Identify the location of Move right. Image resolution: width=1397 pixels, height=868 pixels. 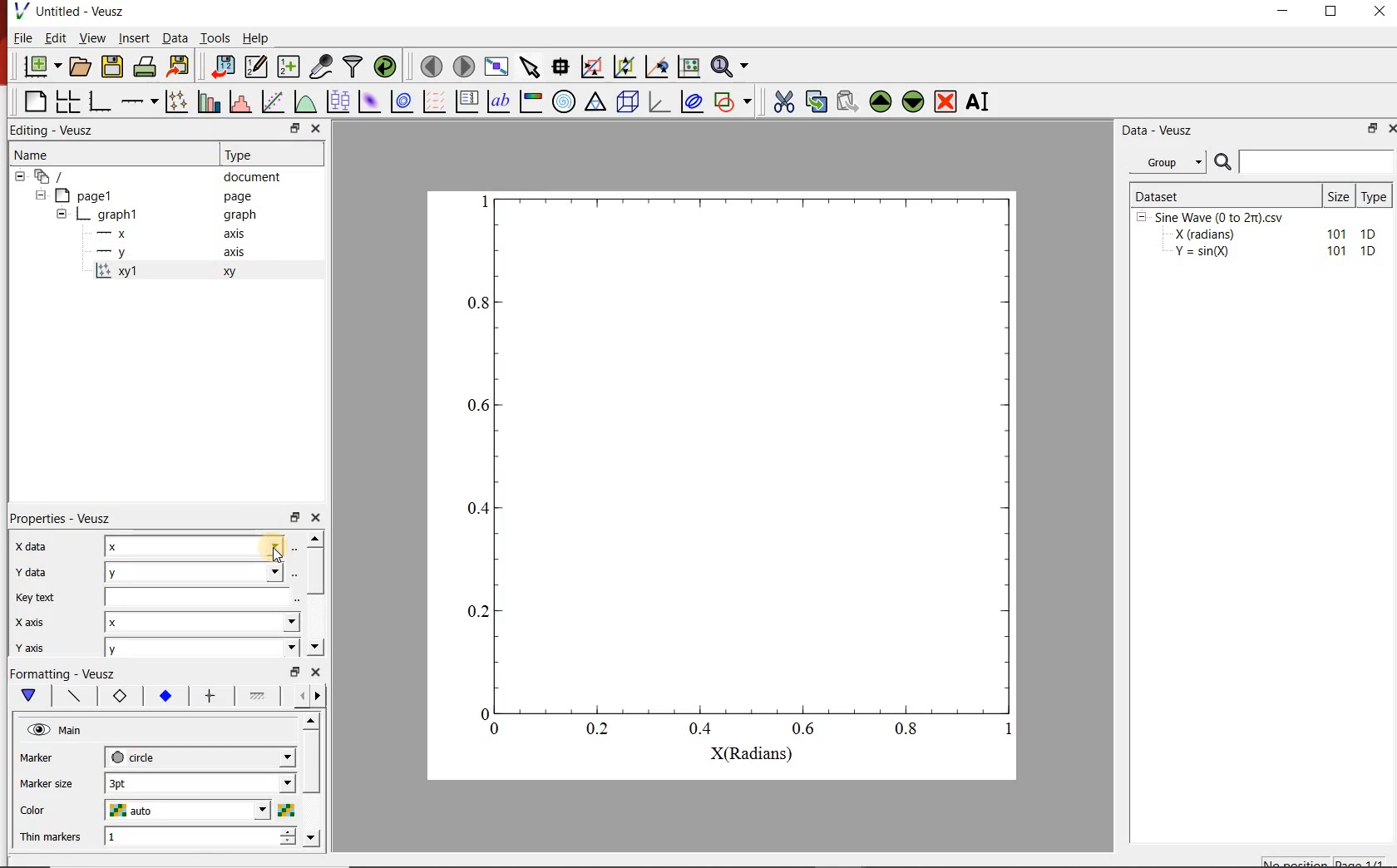
(320, 696).